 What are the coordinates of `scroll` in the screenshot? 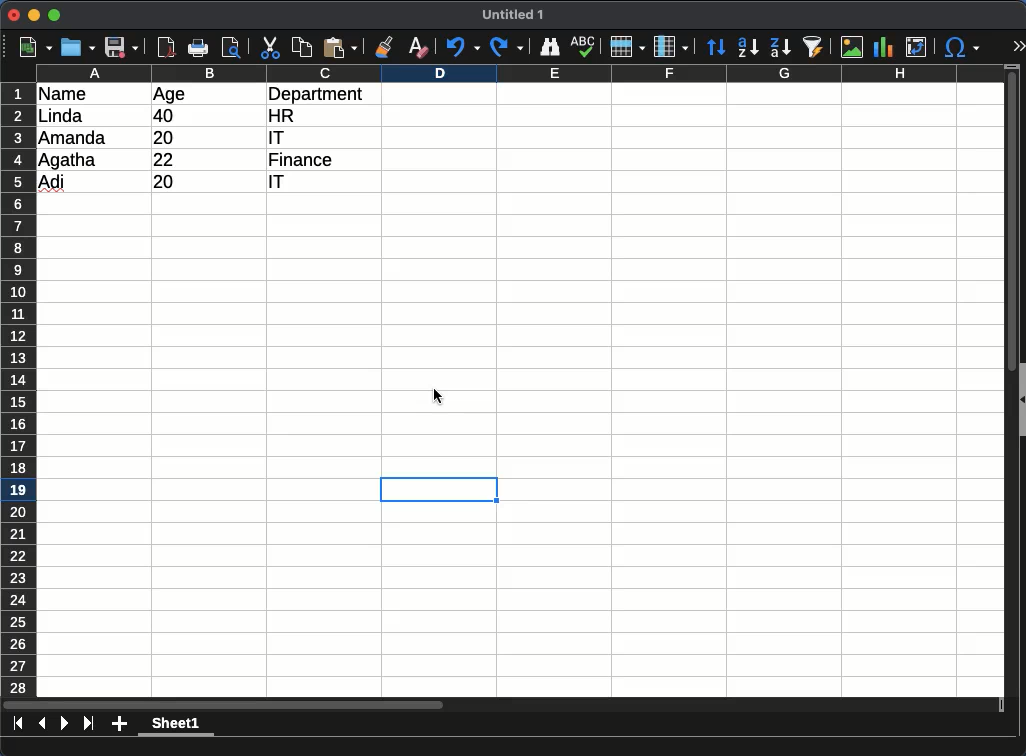 It's located at (1004, 386).